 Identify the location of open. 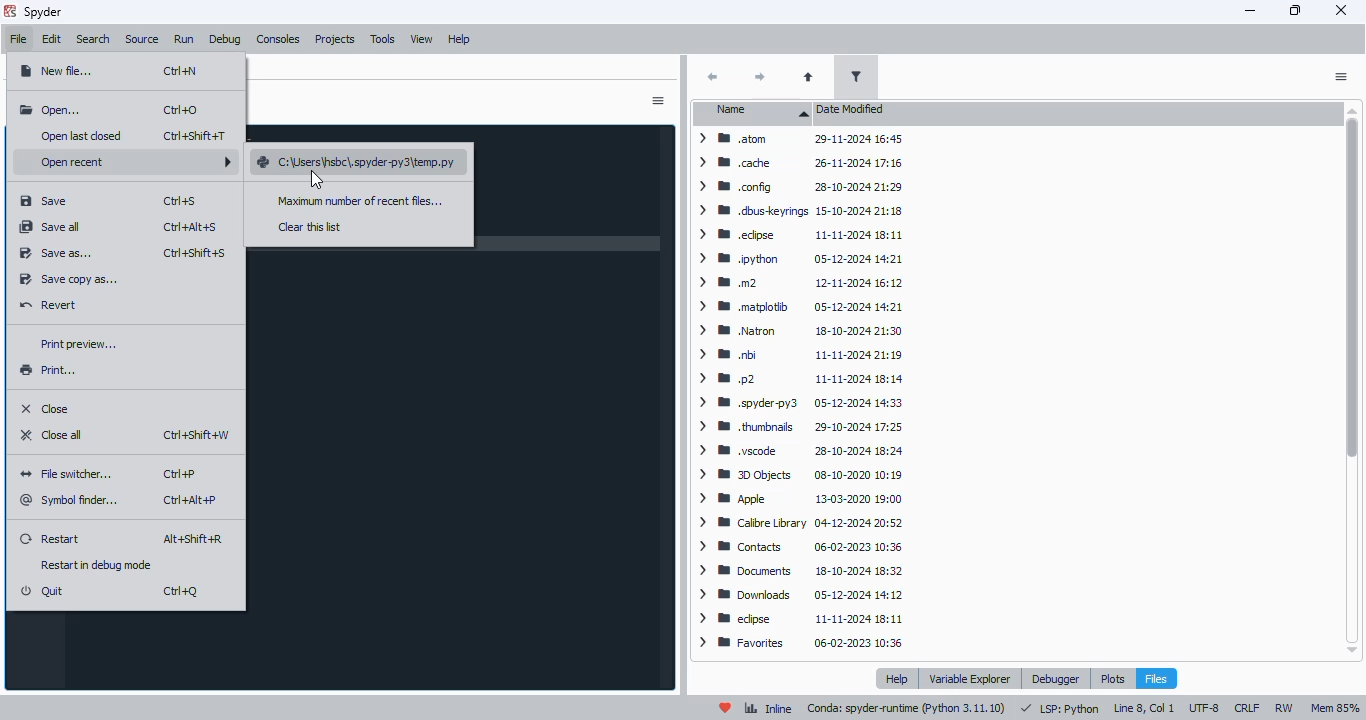
(51, 111).